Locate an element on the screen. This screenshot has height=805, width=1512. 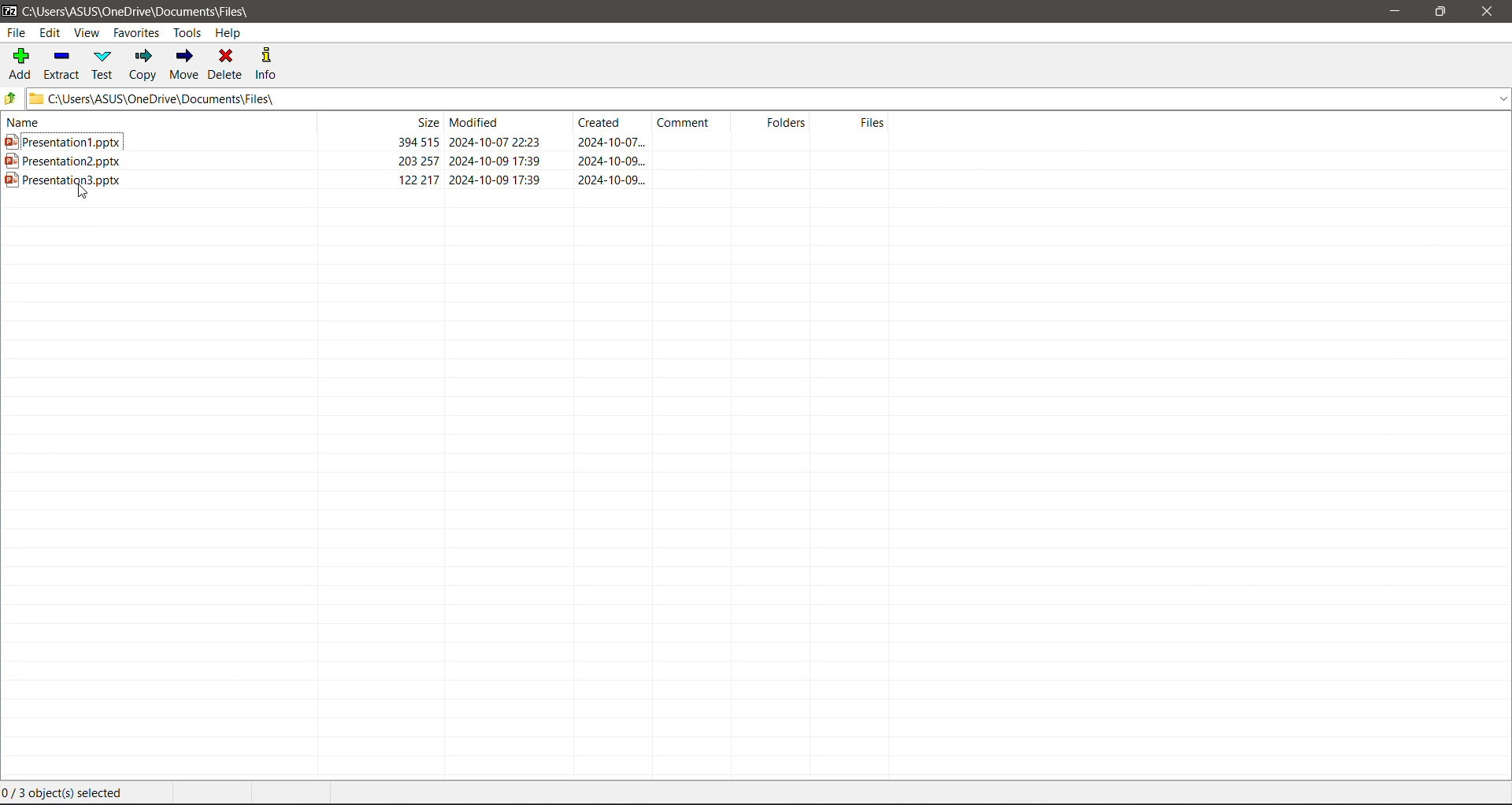
Files is located at coordinates (856, 123).